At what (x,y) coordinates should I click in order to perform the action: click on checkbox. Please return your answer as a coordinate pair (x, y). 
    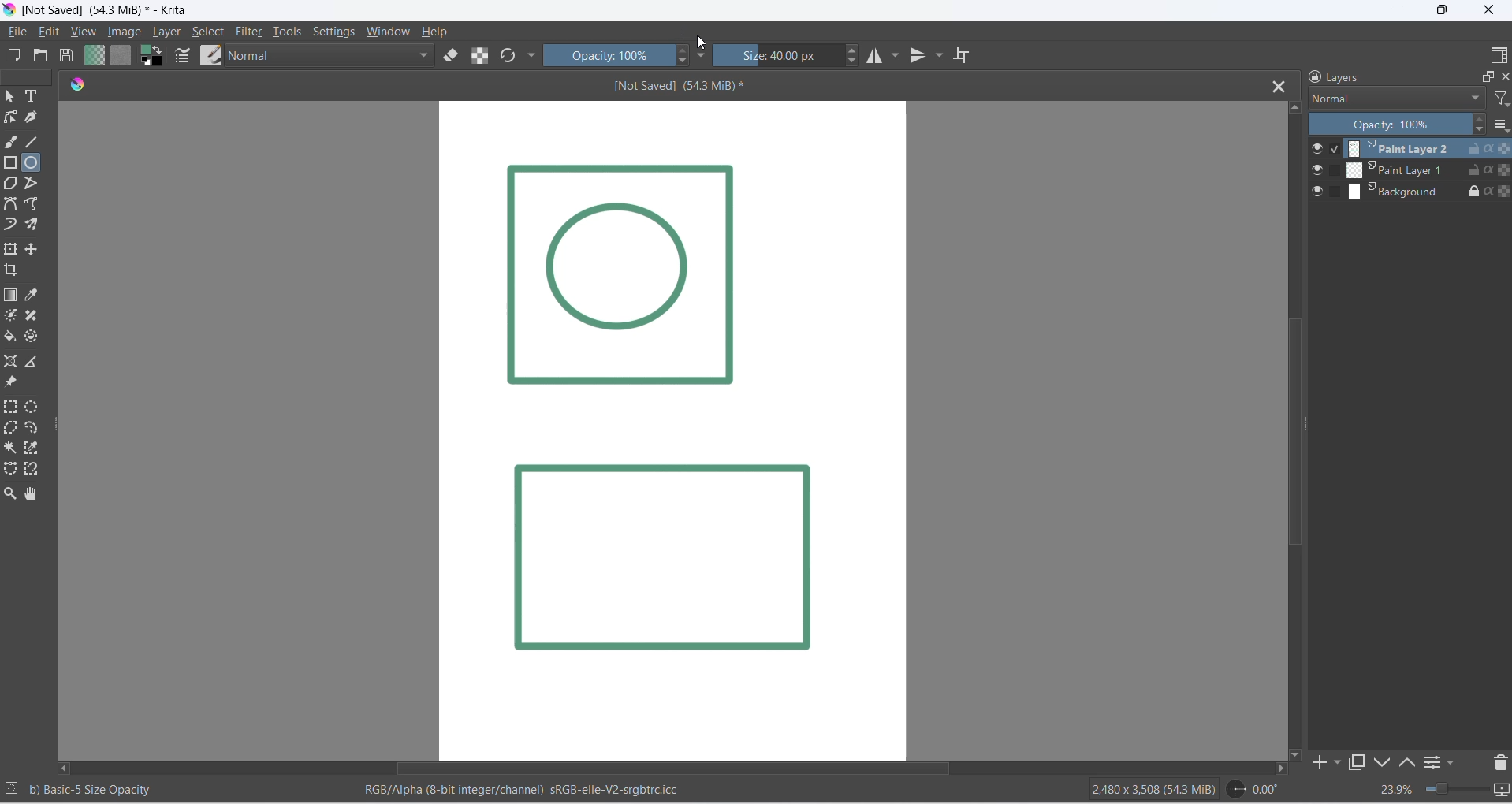
    Looking at the image, I should click on (1334, 189).